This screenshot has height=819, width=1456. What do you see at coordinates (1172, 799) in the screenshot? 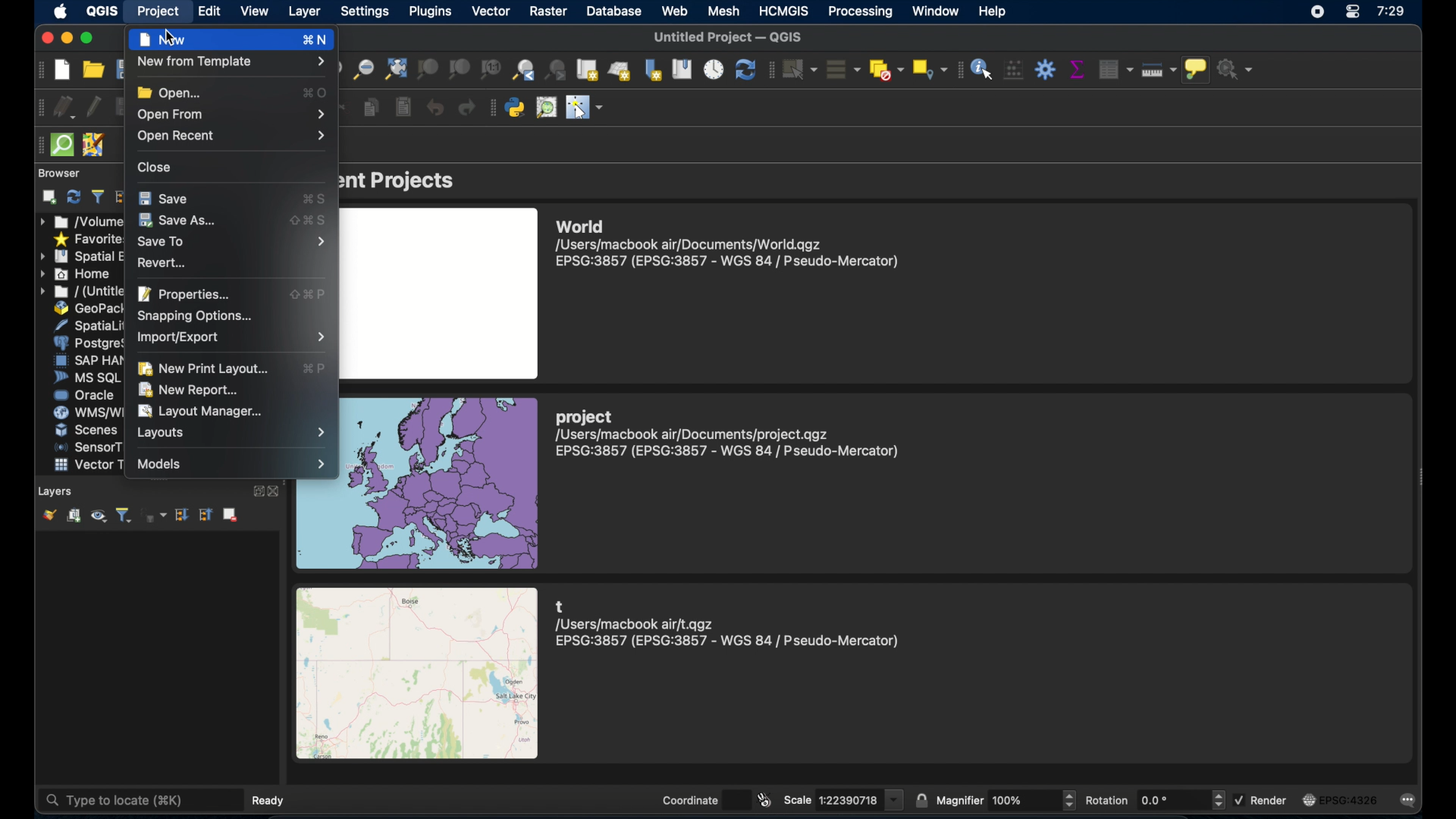
I see `rotation value` at bounding box center [1172, 799].